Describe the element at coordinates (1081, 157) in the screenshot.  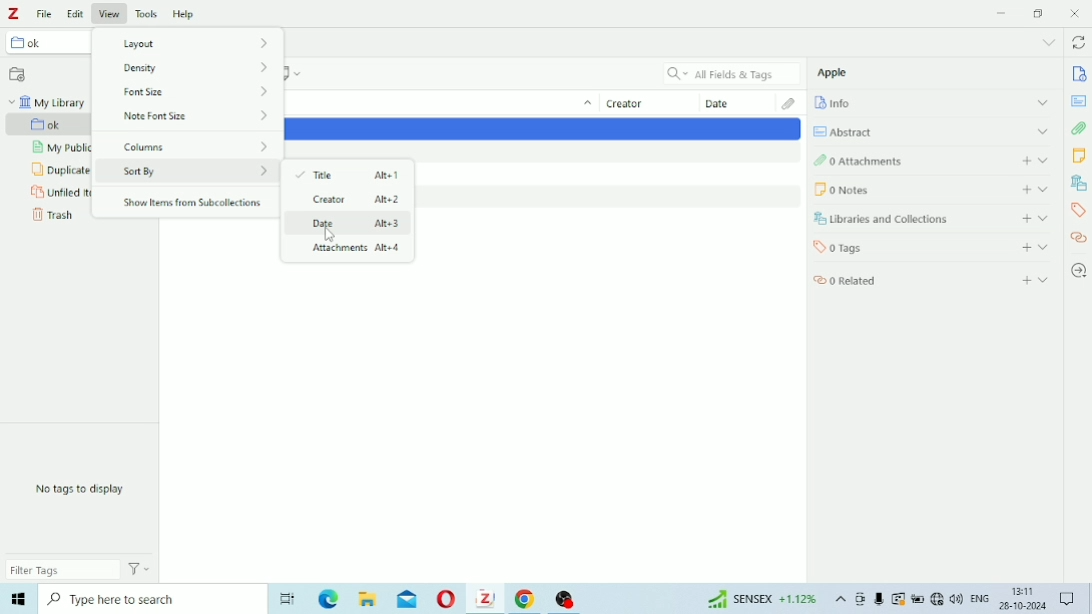
I see `Notes` at that location.